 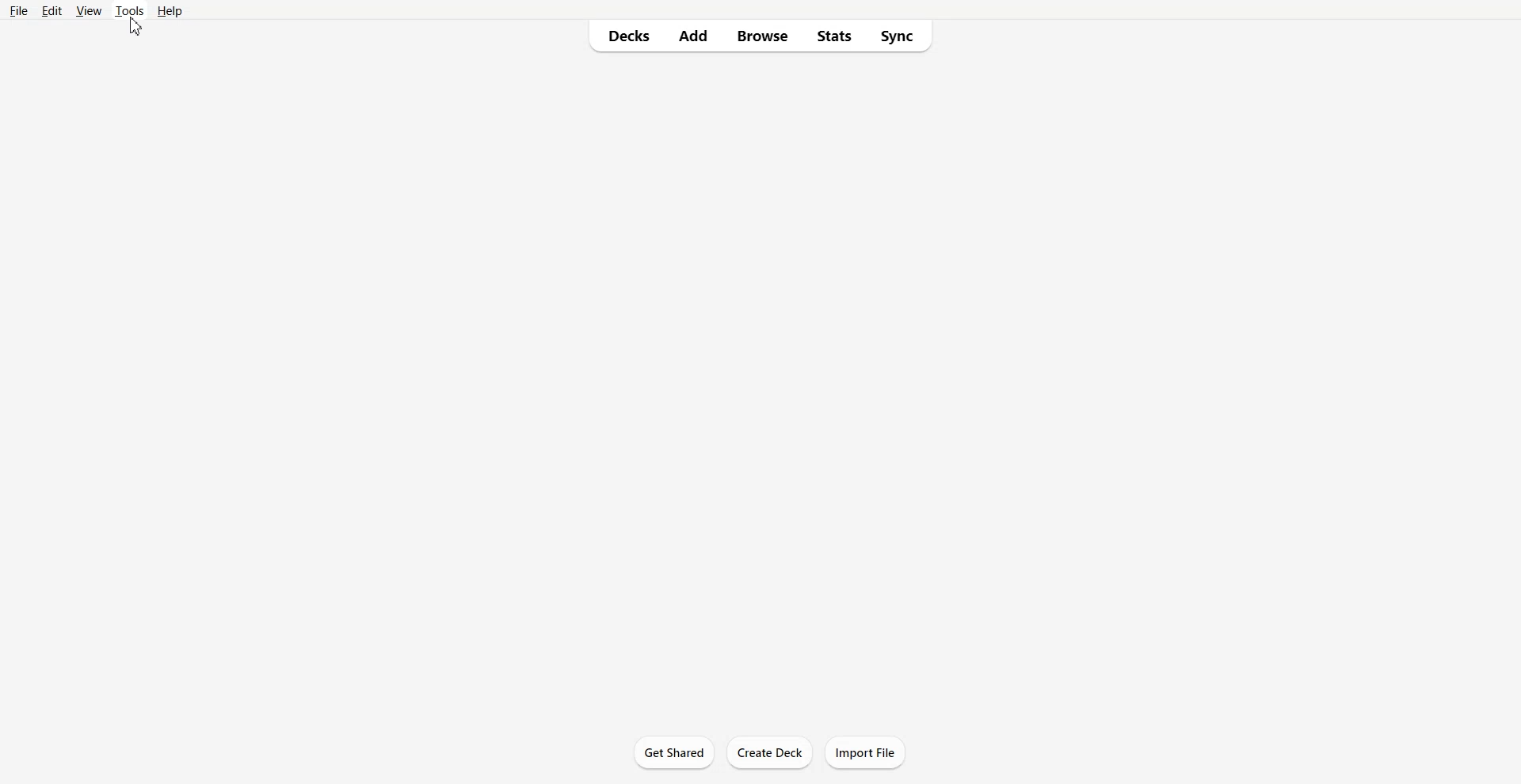 What do you see at coordinates (20, 11) in the screenshot?
I see `File` at bounding box center [20, 11].